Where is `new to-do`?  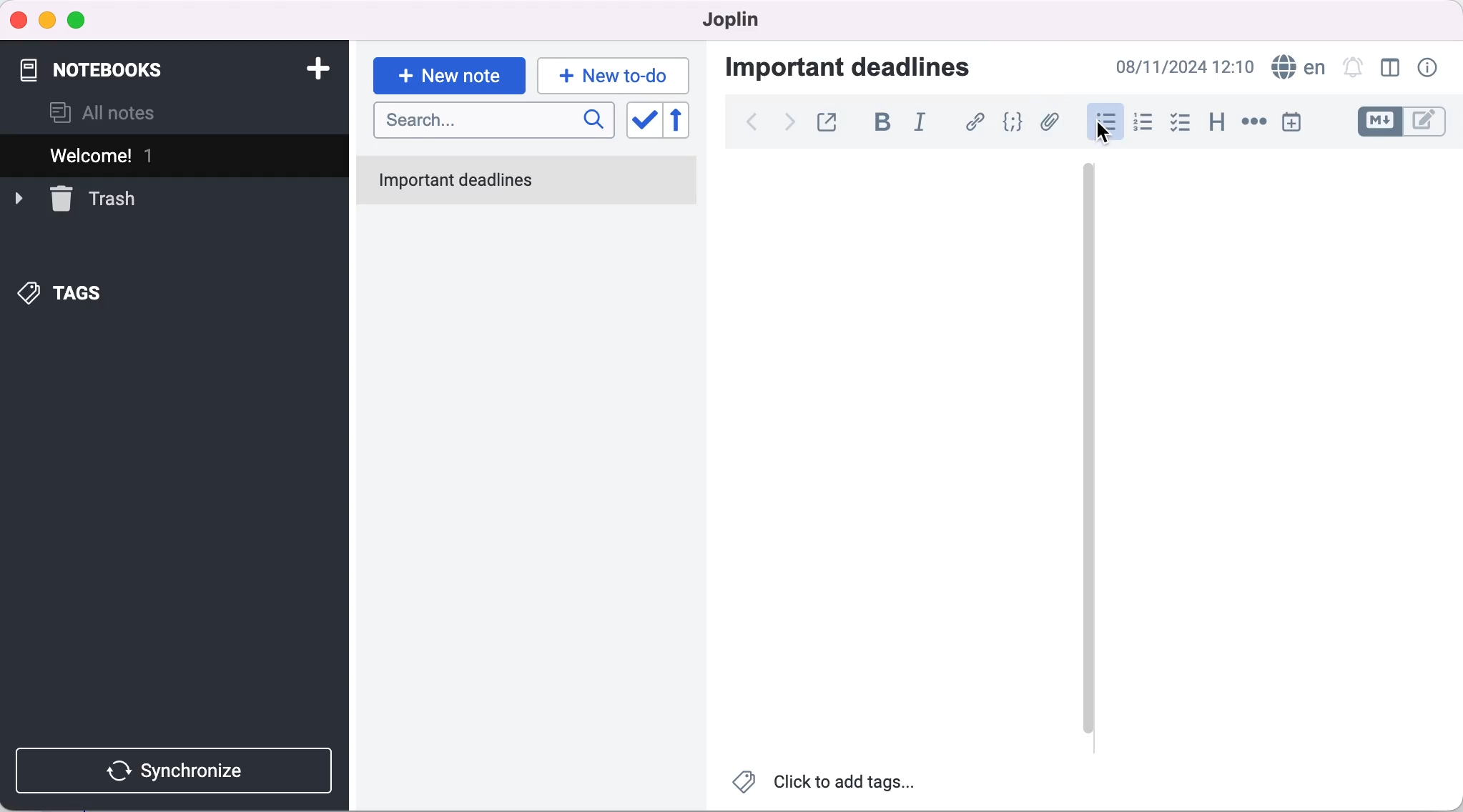 new to-do is located at coordinates (617, 75).